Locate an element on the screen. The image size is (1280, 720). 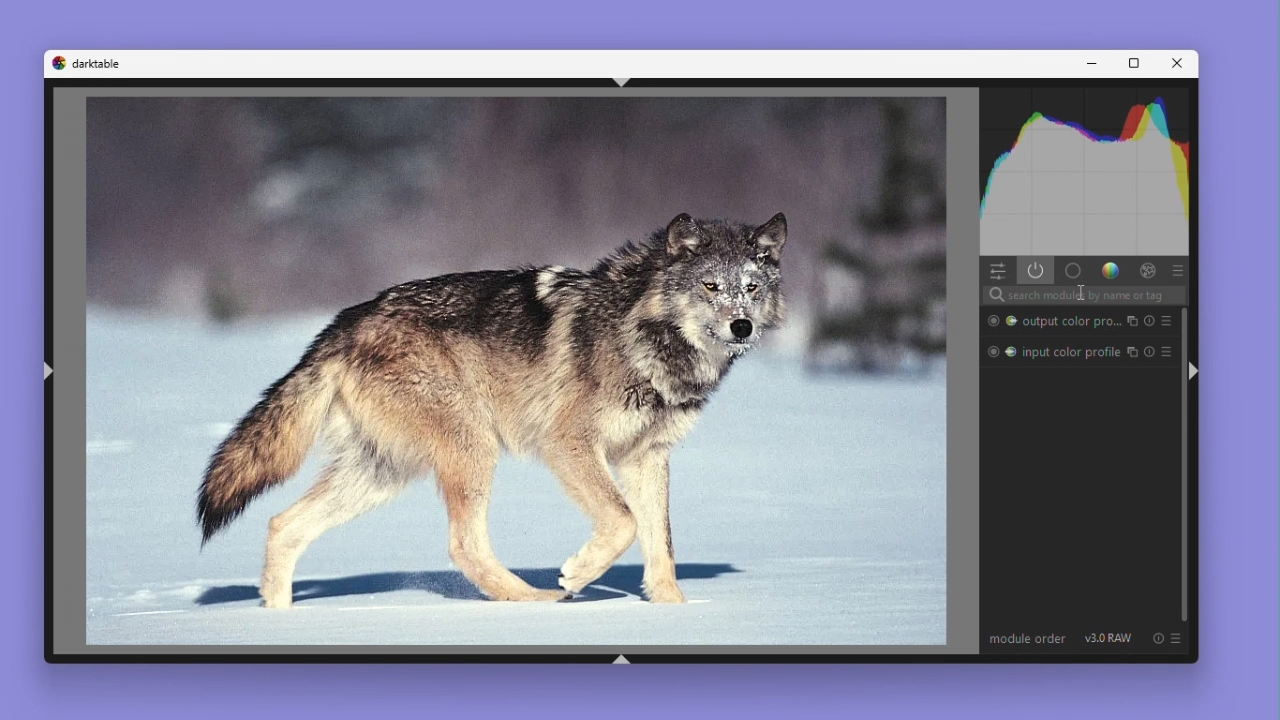
darktable is located at coordinates (105, 63).